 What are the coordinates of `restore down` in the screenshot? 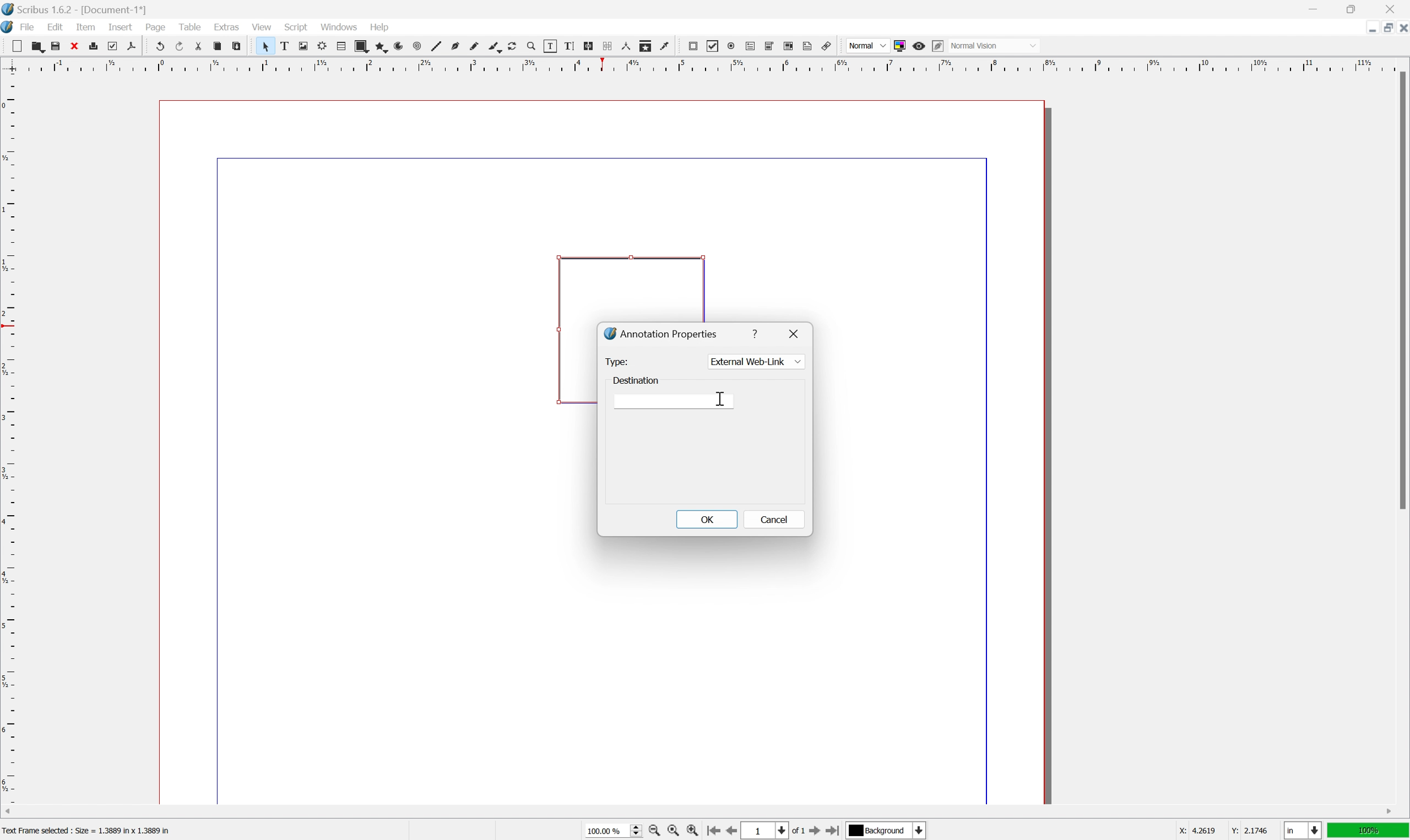 It's located at (1383, 28).